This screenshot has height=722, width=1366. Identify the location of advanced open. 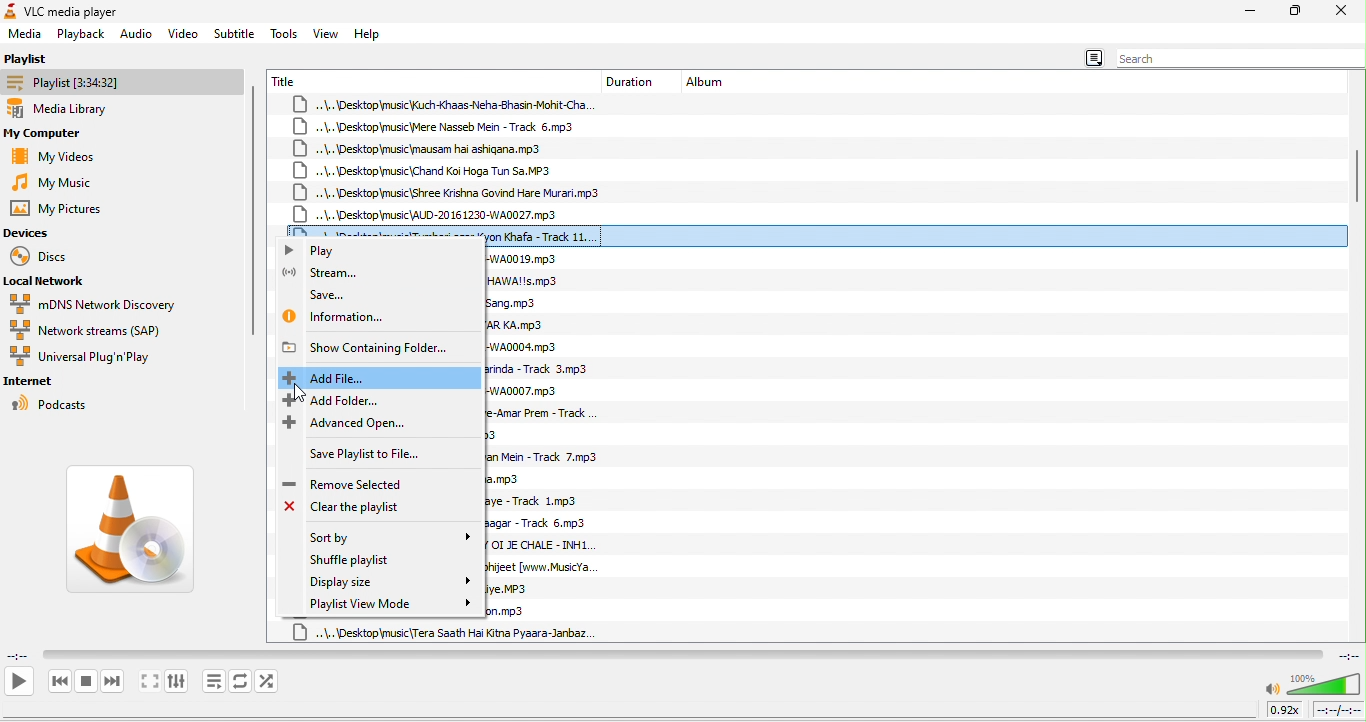
(356, 424).